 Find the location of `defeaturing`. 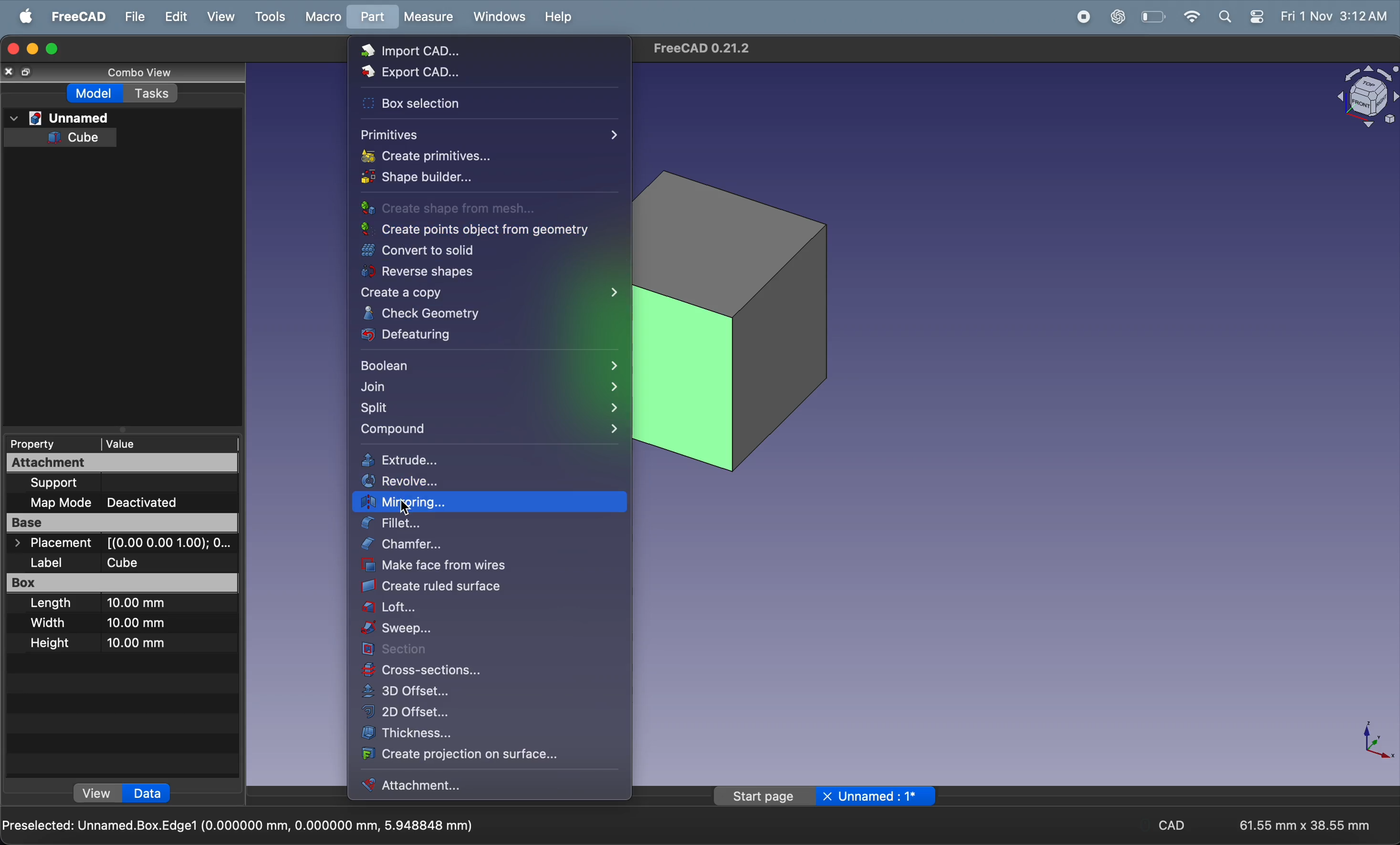

defeaturing is located at coordinates (460, 337).